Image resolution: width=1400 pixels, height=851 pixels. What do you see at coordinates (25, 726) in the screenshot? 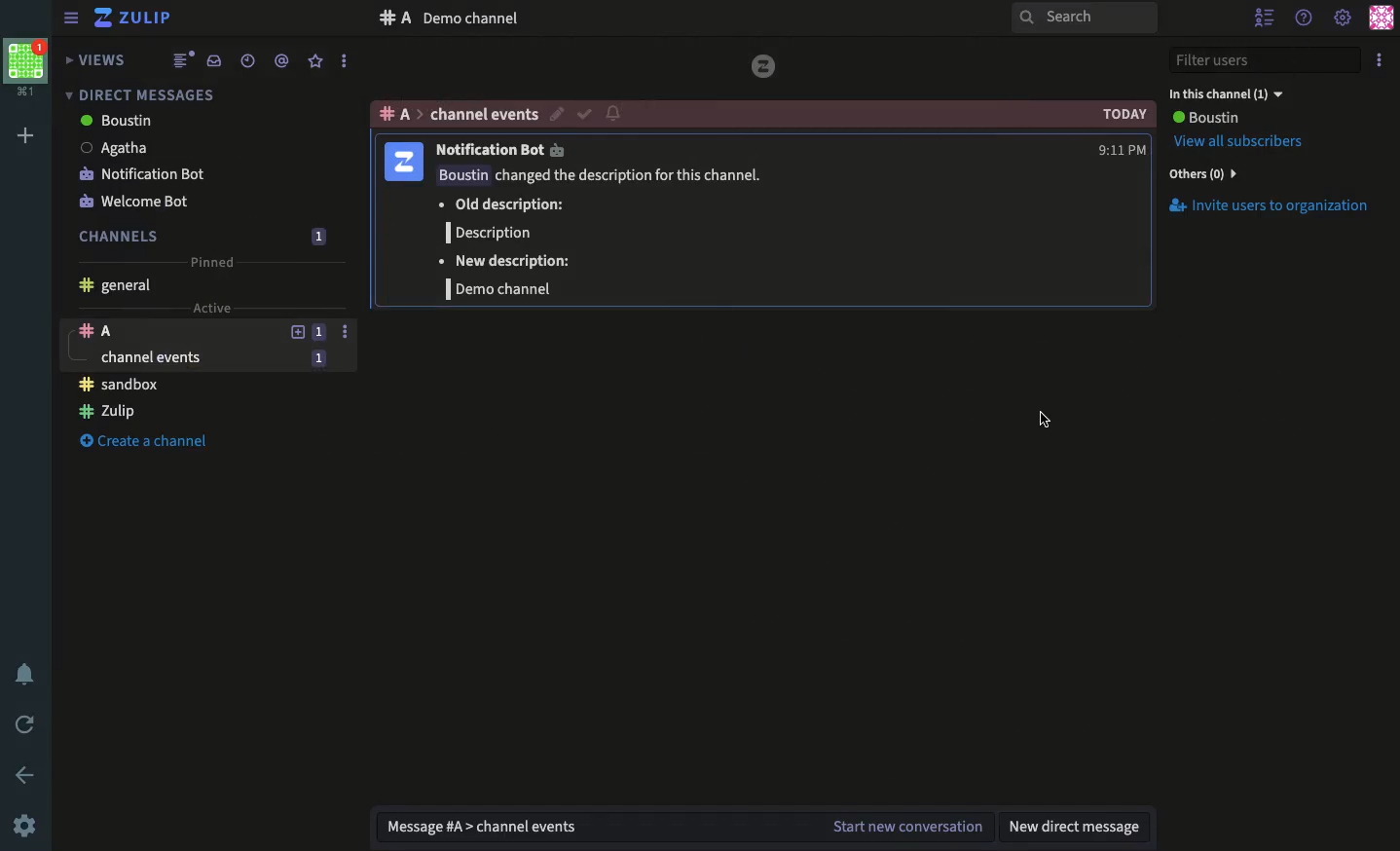
I see `Refresh` at bounding box center [25, 726].